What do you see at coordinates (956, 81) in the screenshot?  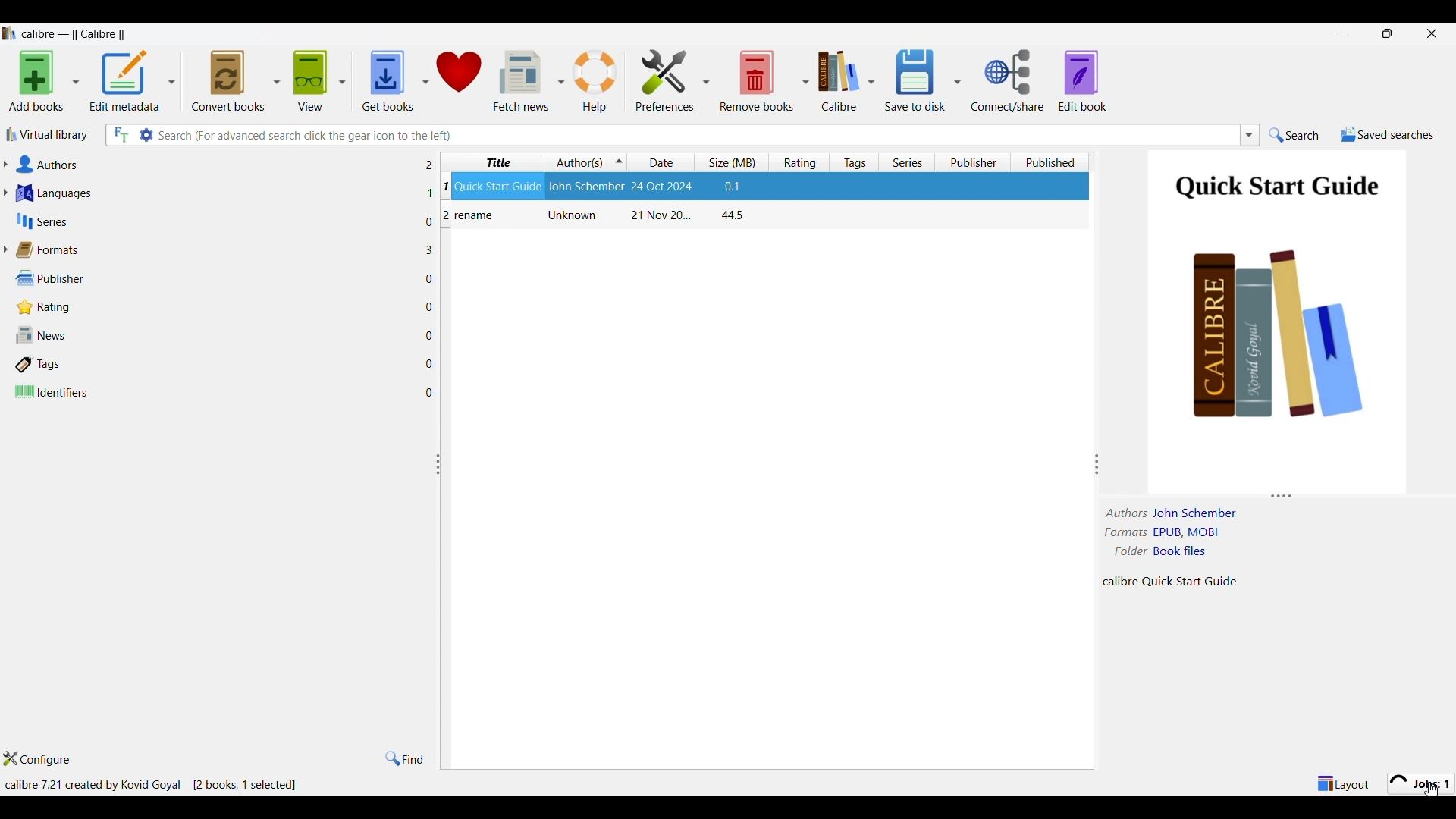 I see `Save options` at bounding box center [956, 81].